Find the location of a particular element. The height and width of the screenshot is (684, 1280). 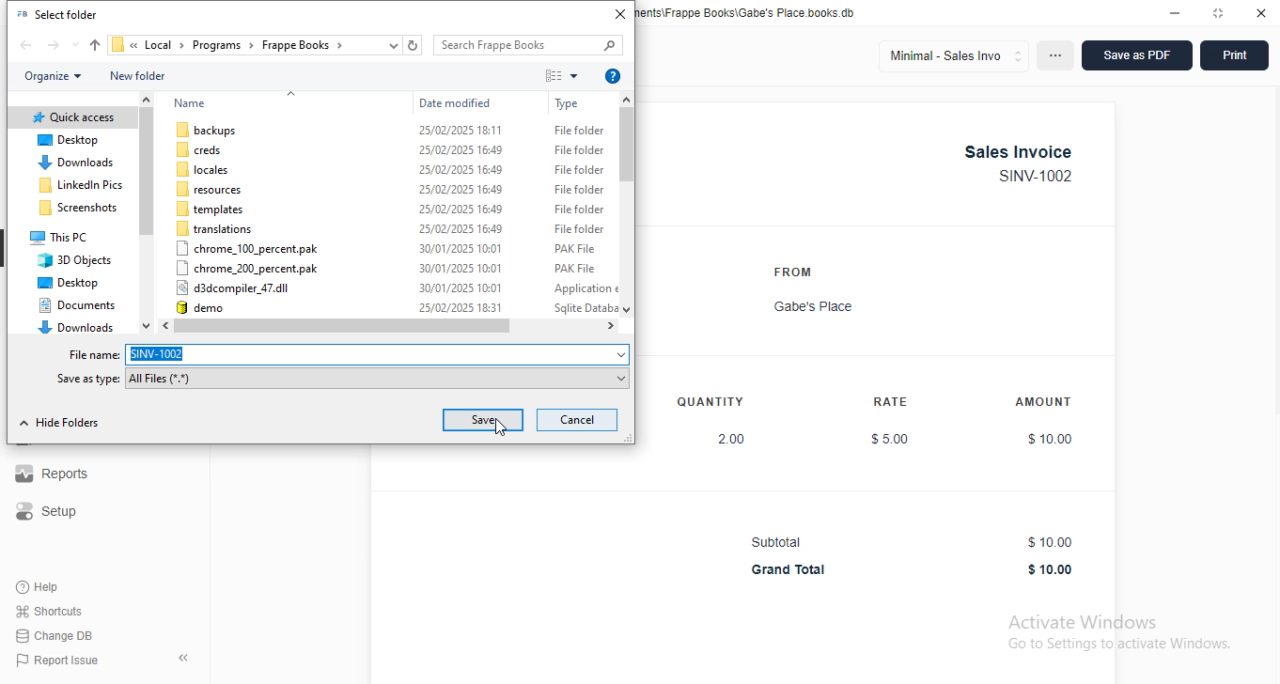

search frappe books is located at coordinates (527, 44).